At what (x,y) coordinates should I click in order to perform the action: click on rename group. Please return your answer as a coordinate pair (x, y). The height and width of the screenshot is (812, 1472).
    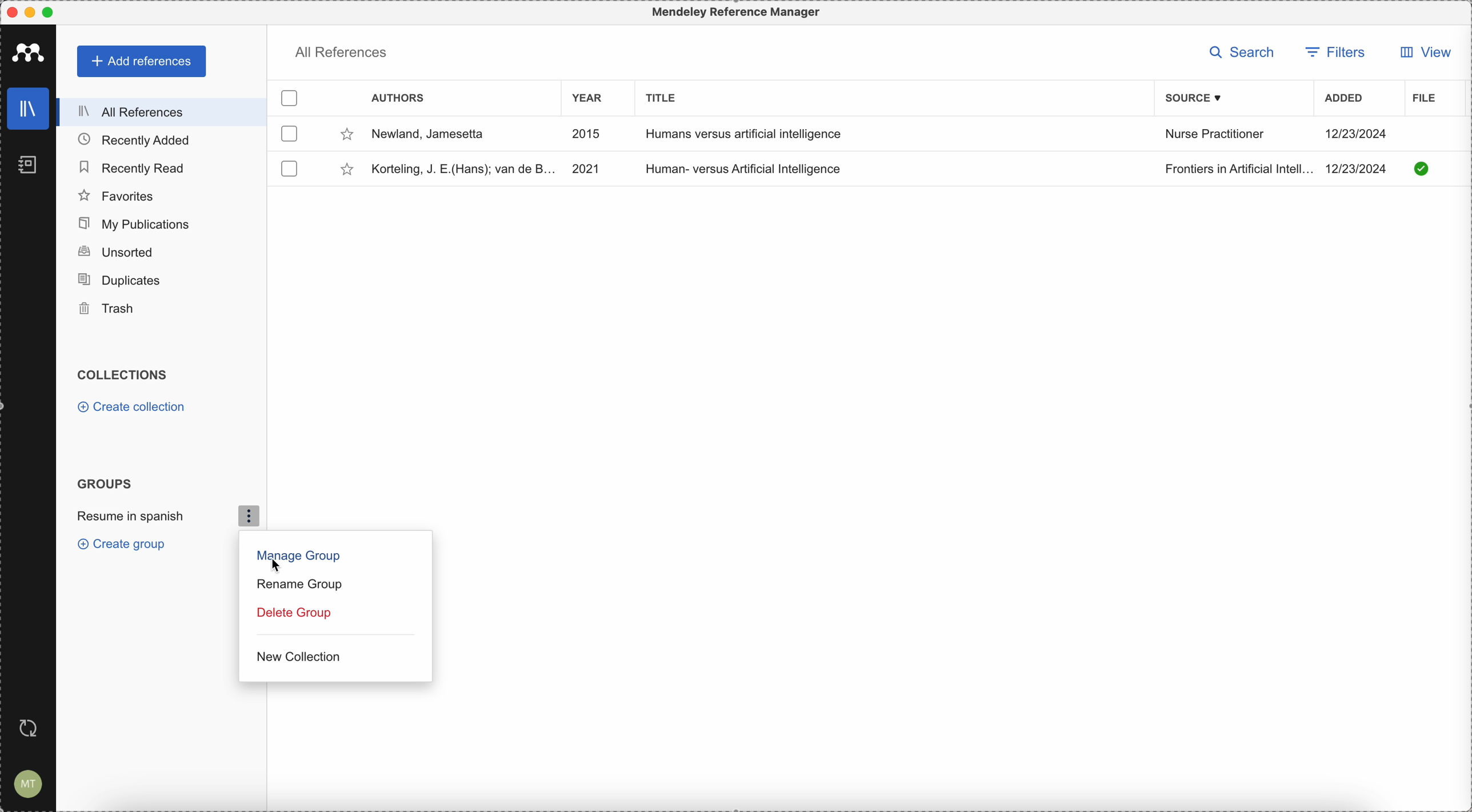
    Looking at the image, I should click on (298, 585).